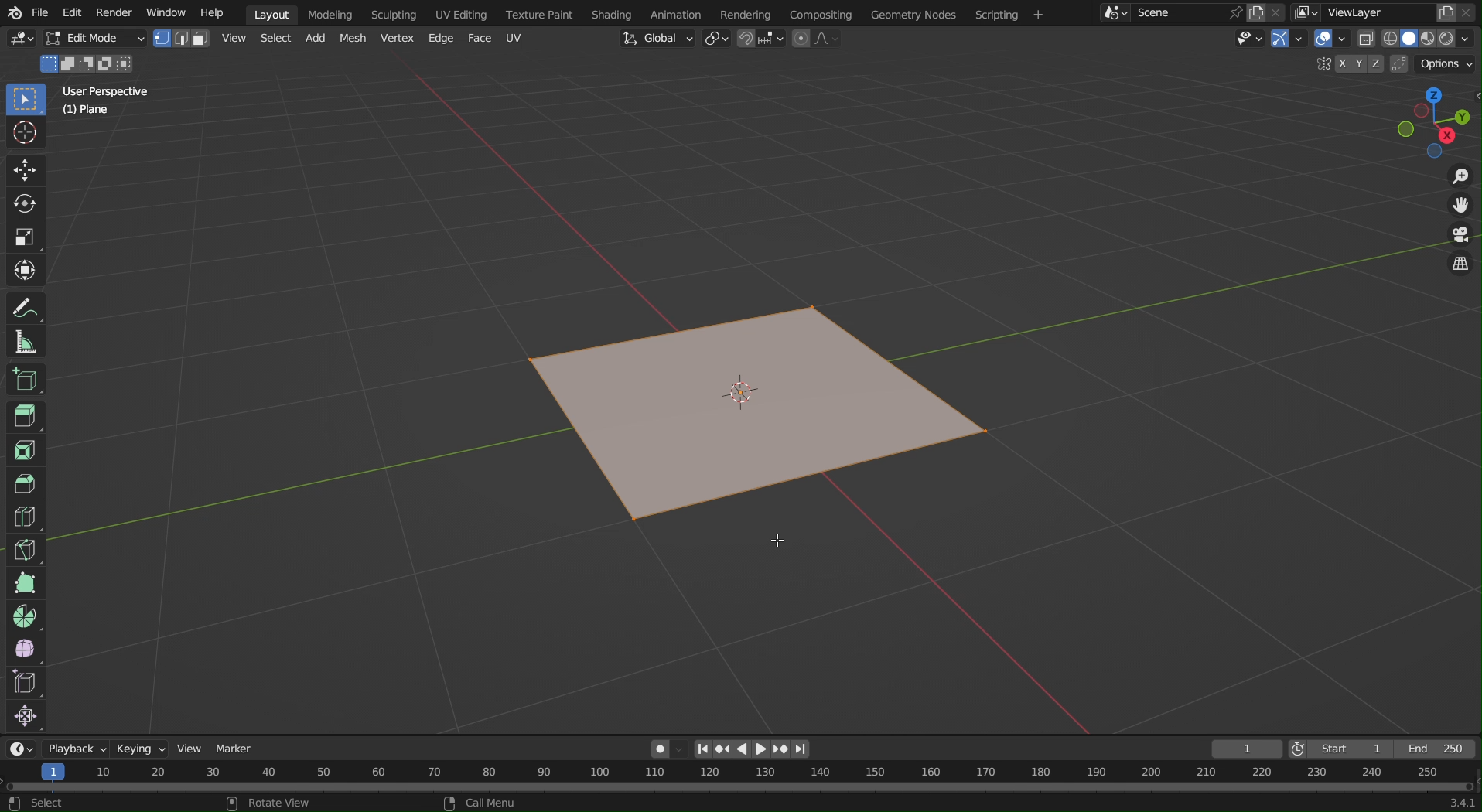  What do you see at coordinates (459, 12) in the screenshot?
I see `UV Editing` at bounding box center [459, 12].